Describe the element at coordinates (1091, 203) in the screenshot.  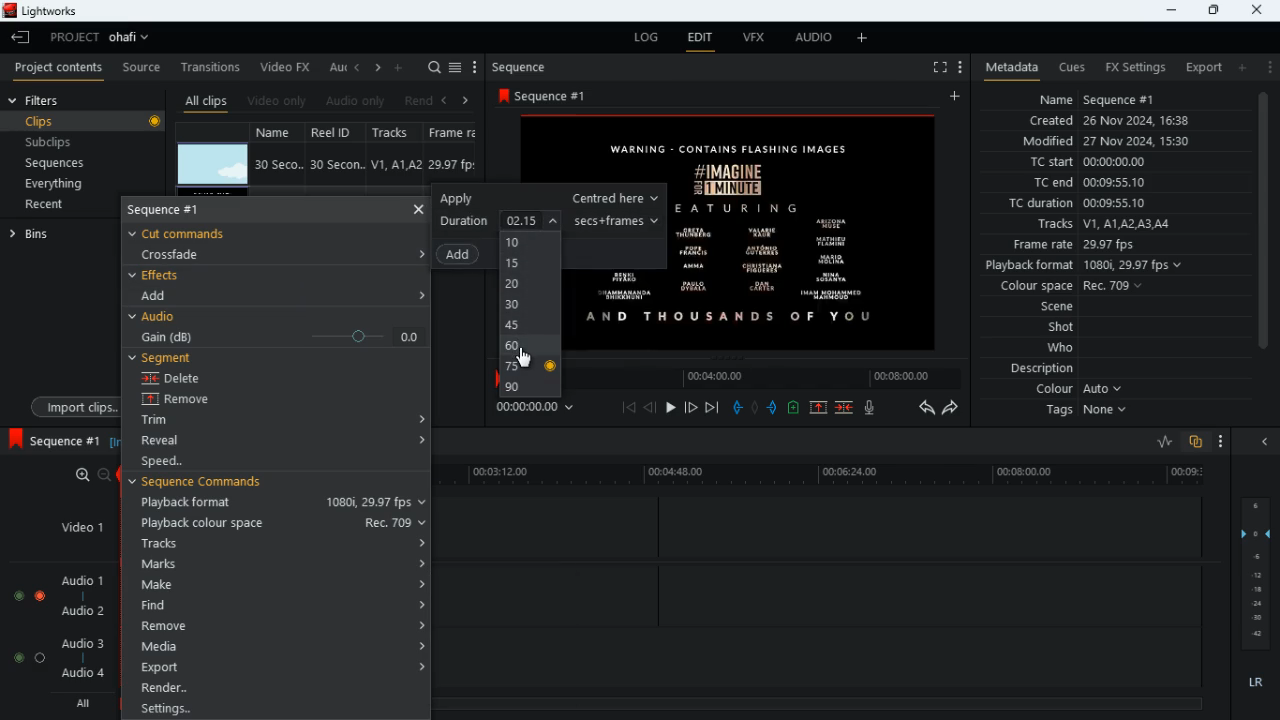
I see `tc duration` at that location.